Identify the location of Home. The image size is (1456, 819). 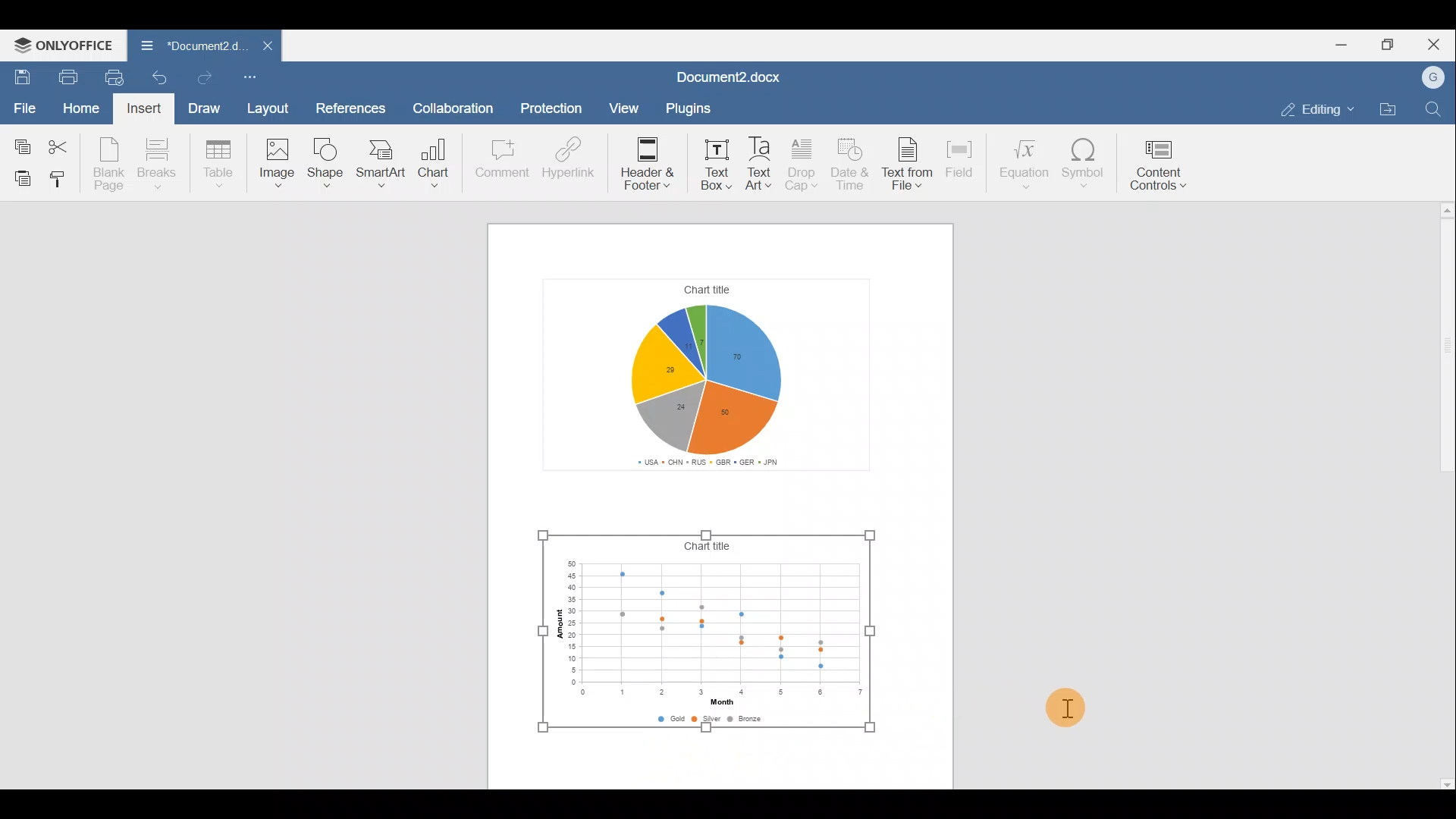
(81, 108).